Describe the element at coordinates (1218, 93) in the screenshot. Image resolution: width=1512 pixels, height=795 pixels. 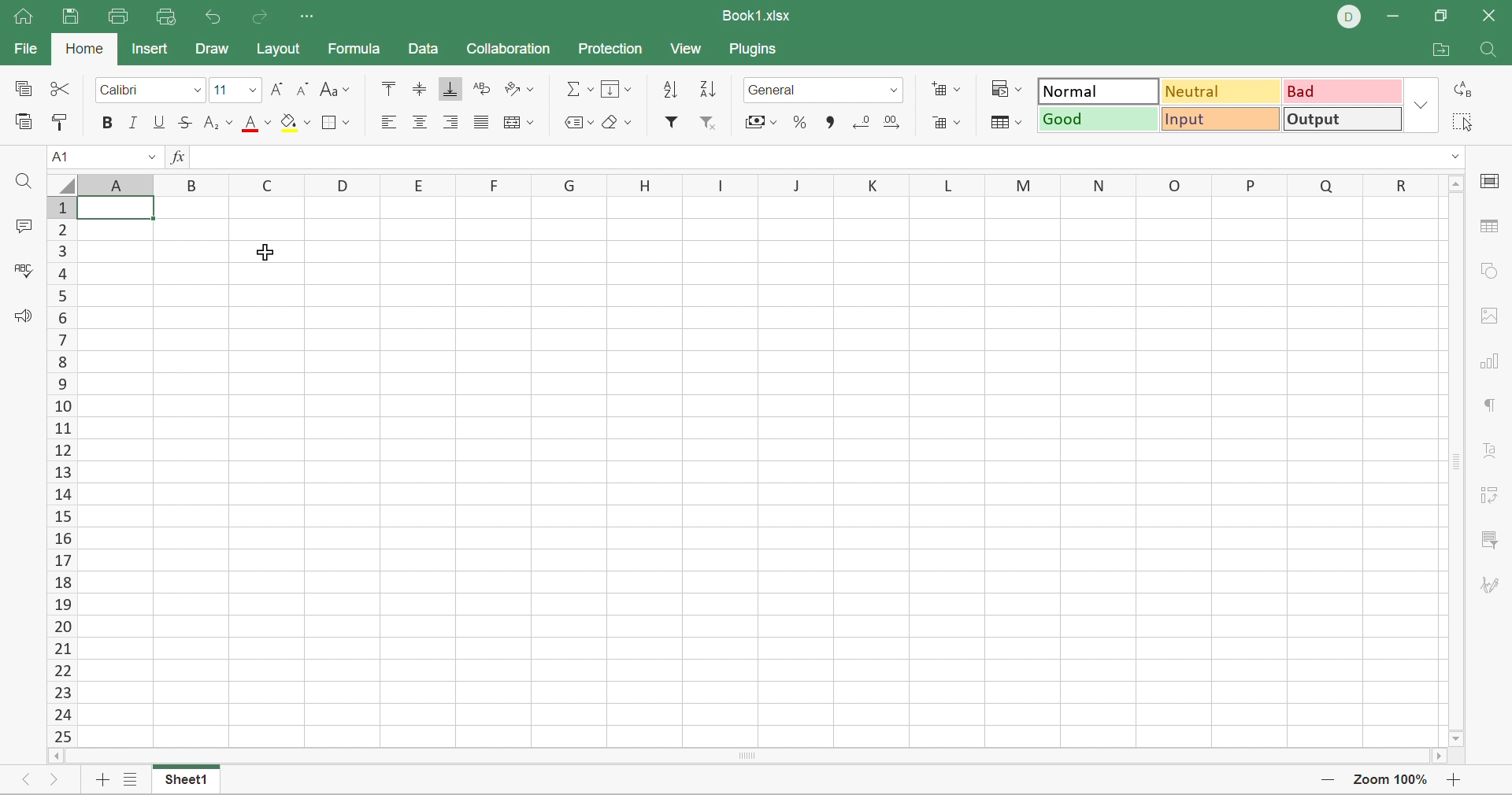
I see `Neutral` at that location.